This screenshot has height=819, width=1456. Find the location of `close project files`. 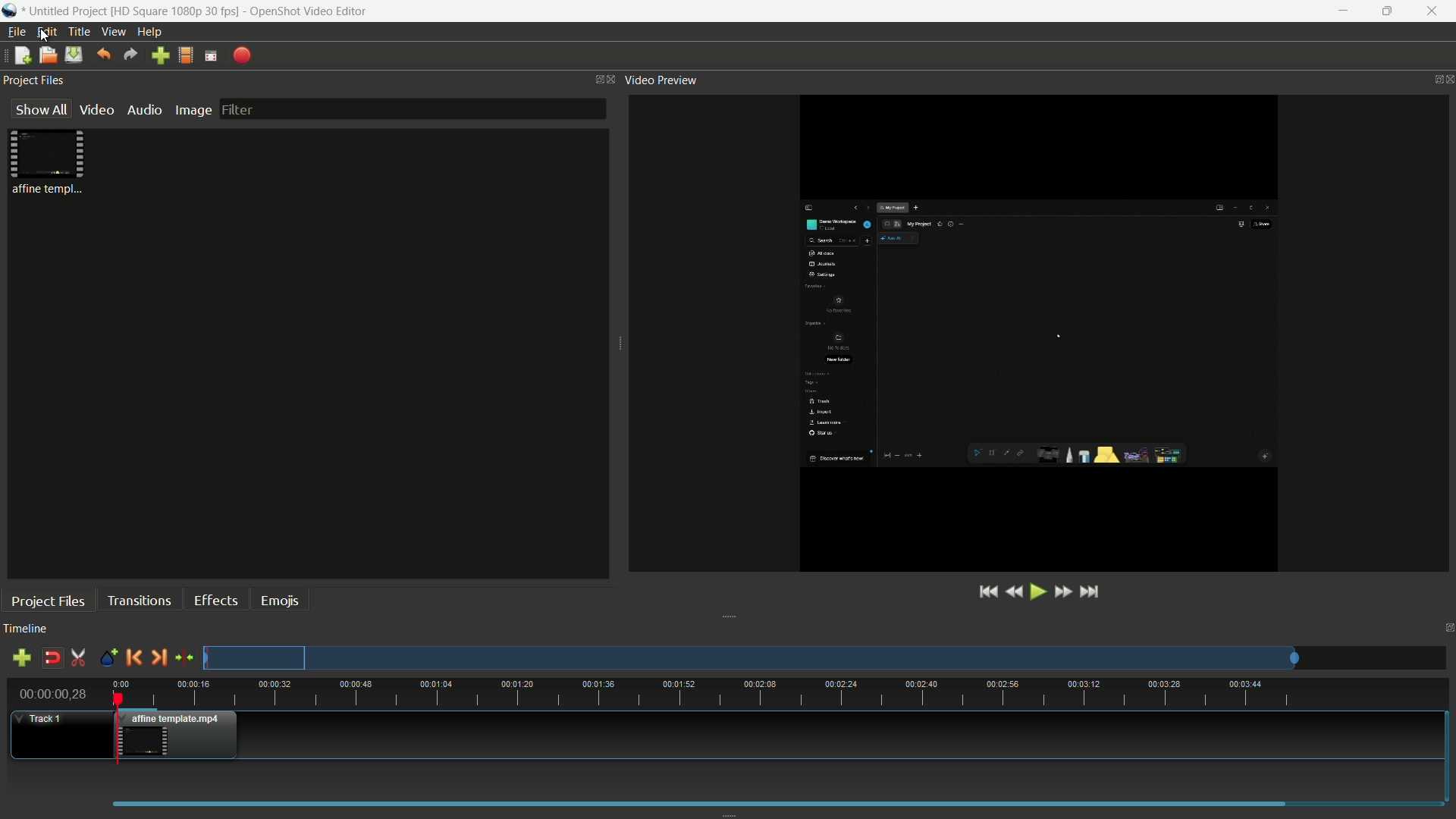

close project files is located at coordinates (608, 80).